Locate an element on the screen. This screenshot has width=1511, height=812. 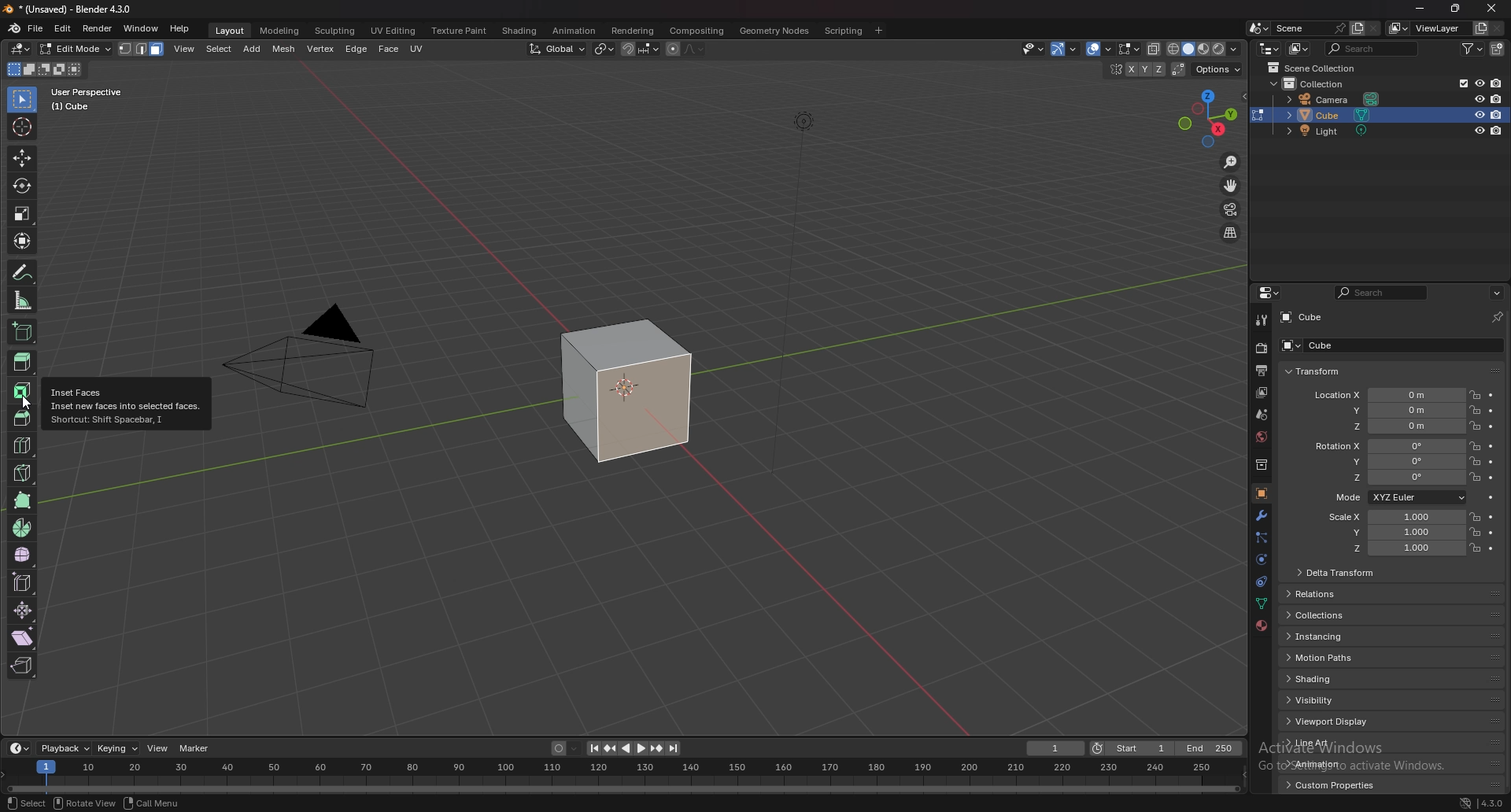
play animation is located at coordinates (634, 749).